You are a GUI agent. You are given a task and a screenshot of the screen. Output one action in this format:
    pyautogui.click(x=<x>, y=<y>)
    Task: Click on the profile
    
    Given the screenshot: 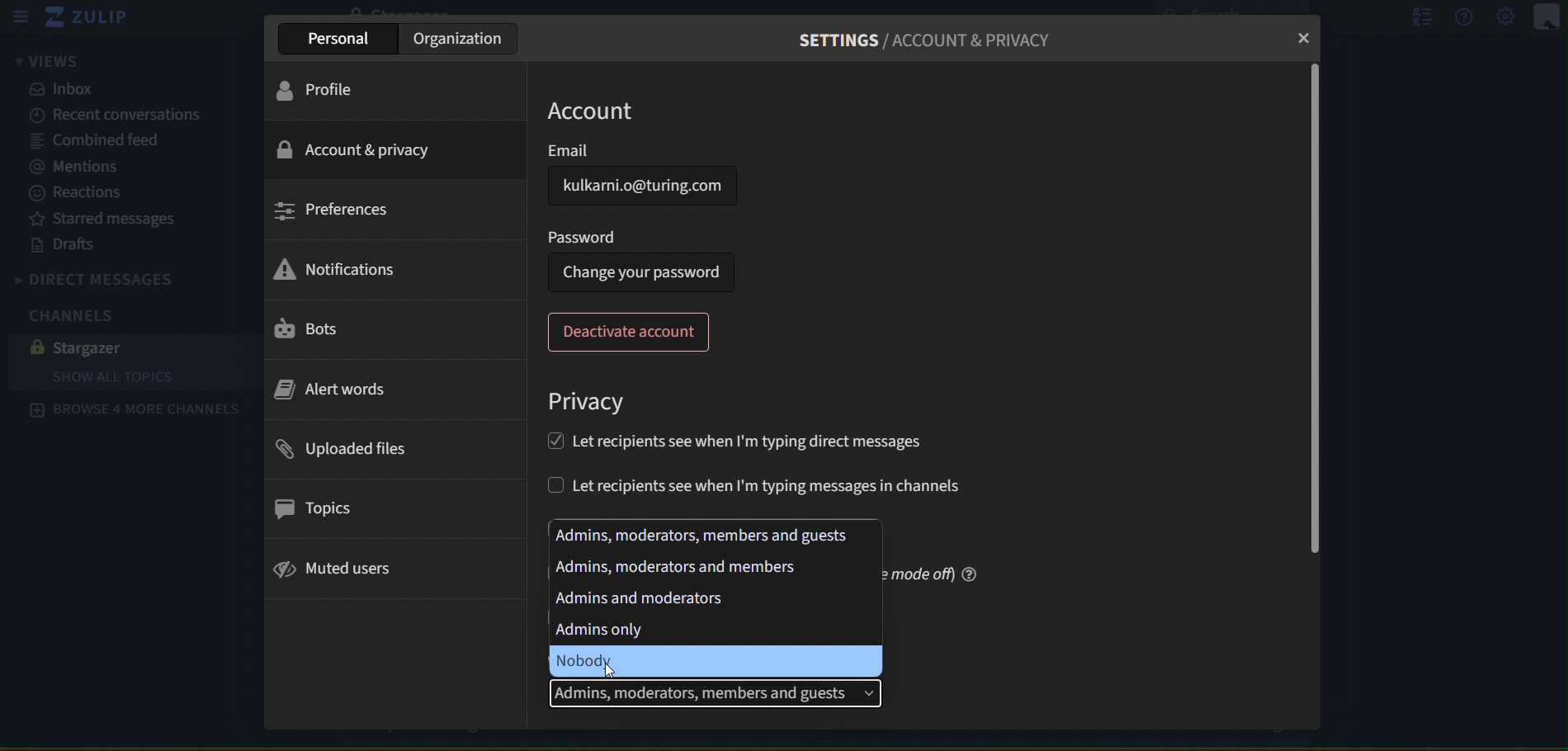 What is the action you would take?
    pyautogui.click(x=326, y=89)
    